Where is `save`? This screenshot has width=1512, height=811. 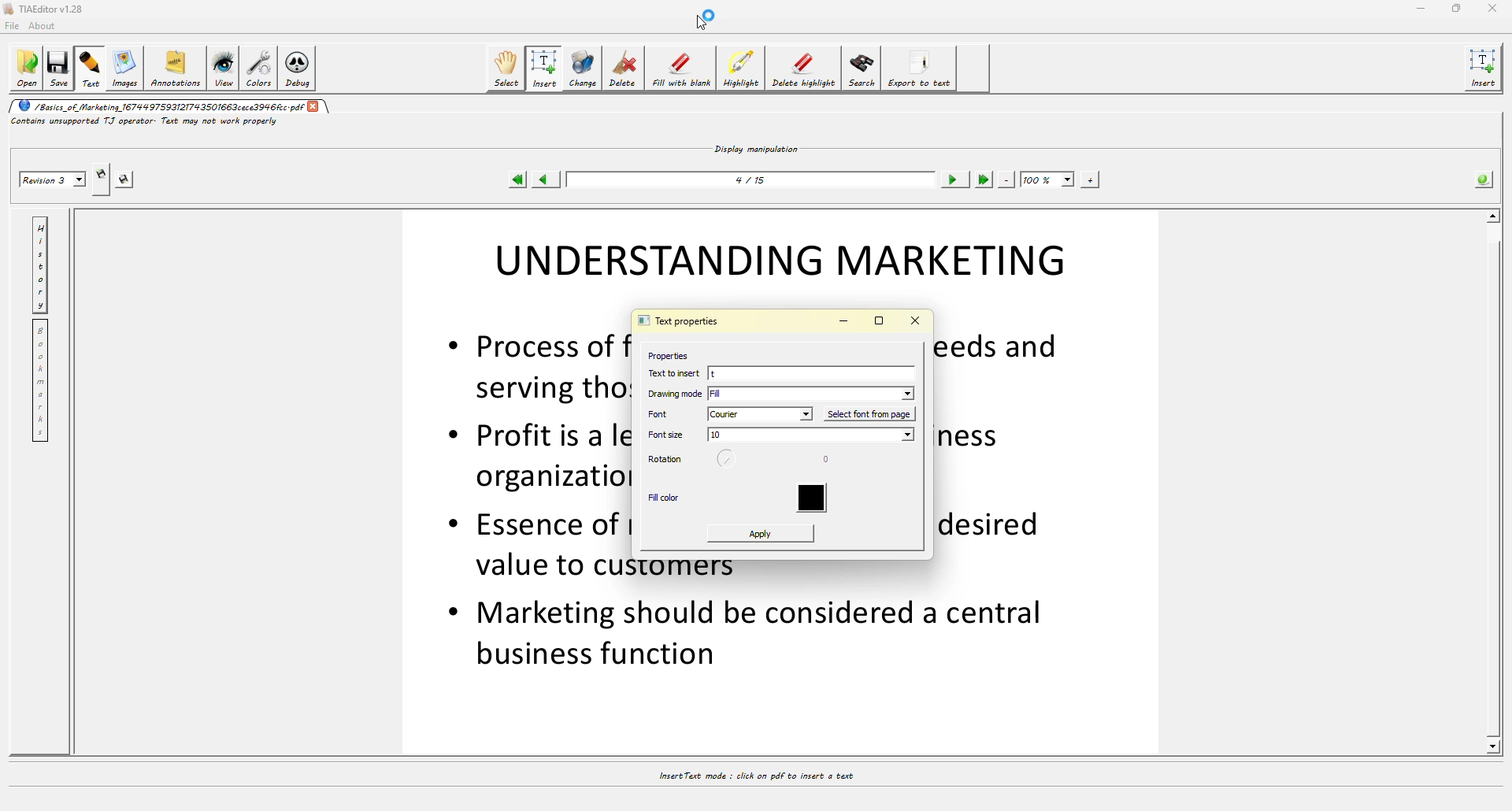
save is located at coordinates (61, 69).